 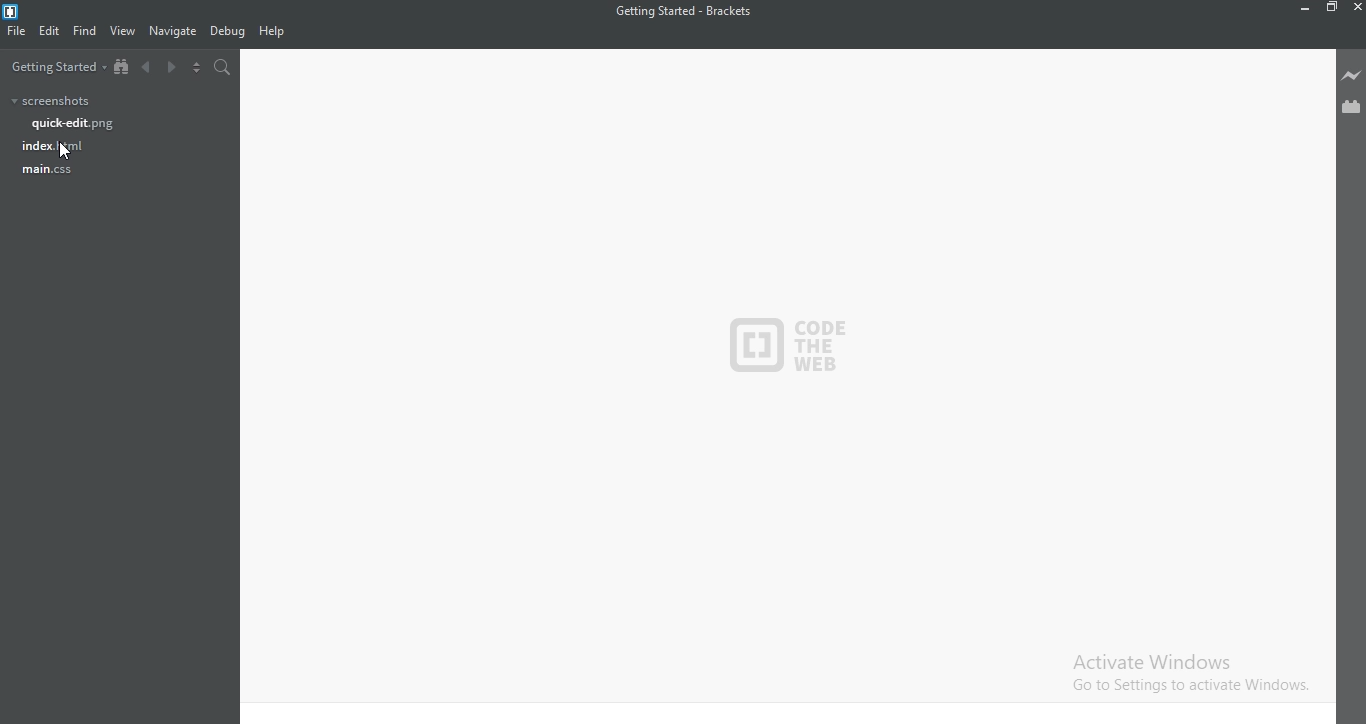 What do you see at coordinates (148, 68) in the screenshot?
I see `Previous document` at bounding box center [148, 68].